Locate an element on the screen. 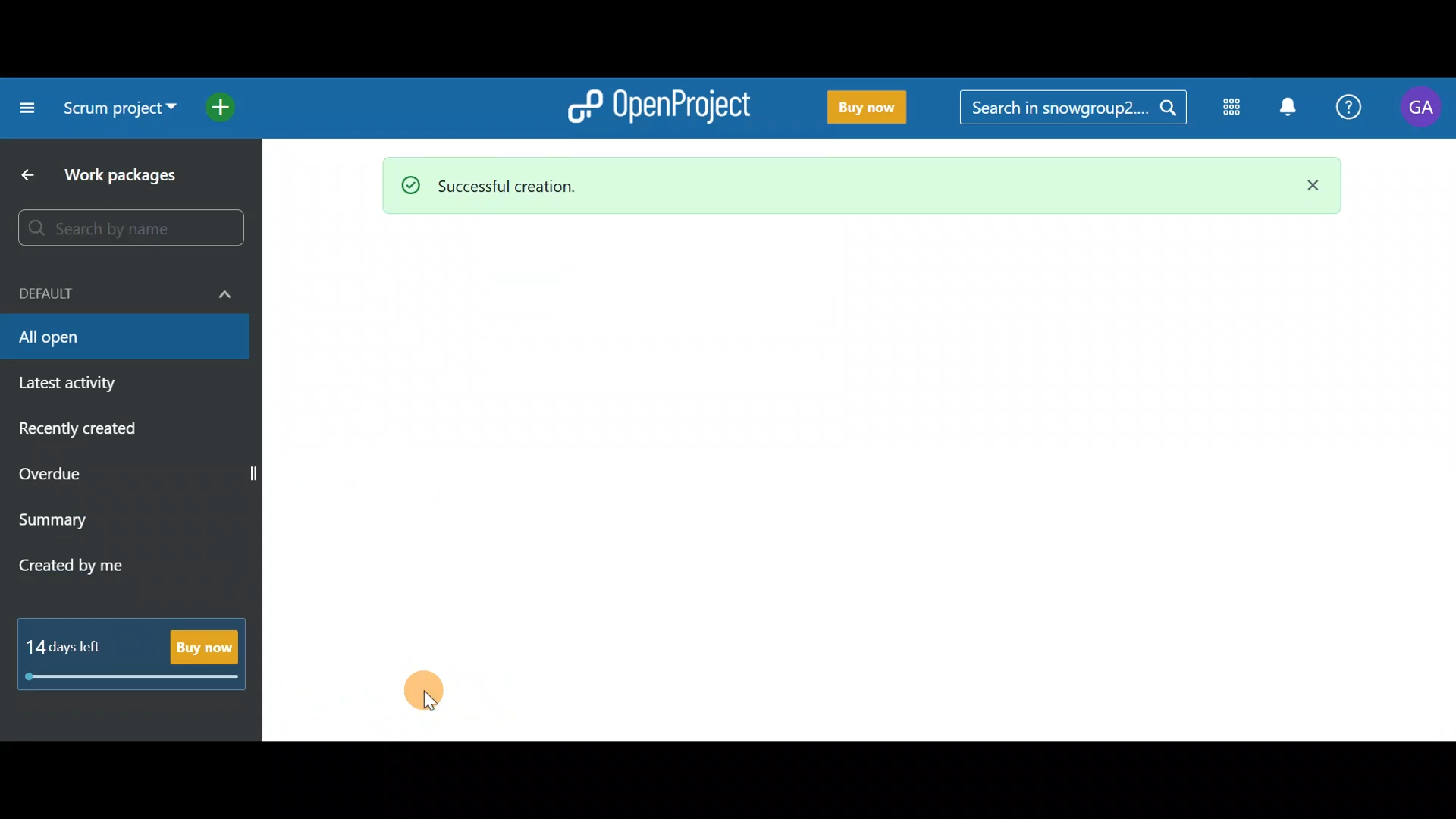 This screenshot has height=819, width=1456. Cursor is located at coordinates (433, 694).